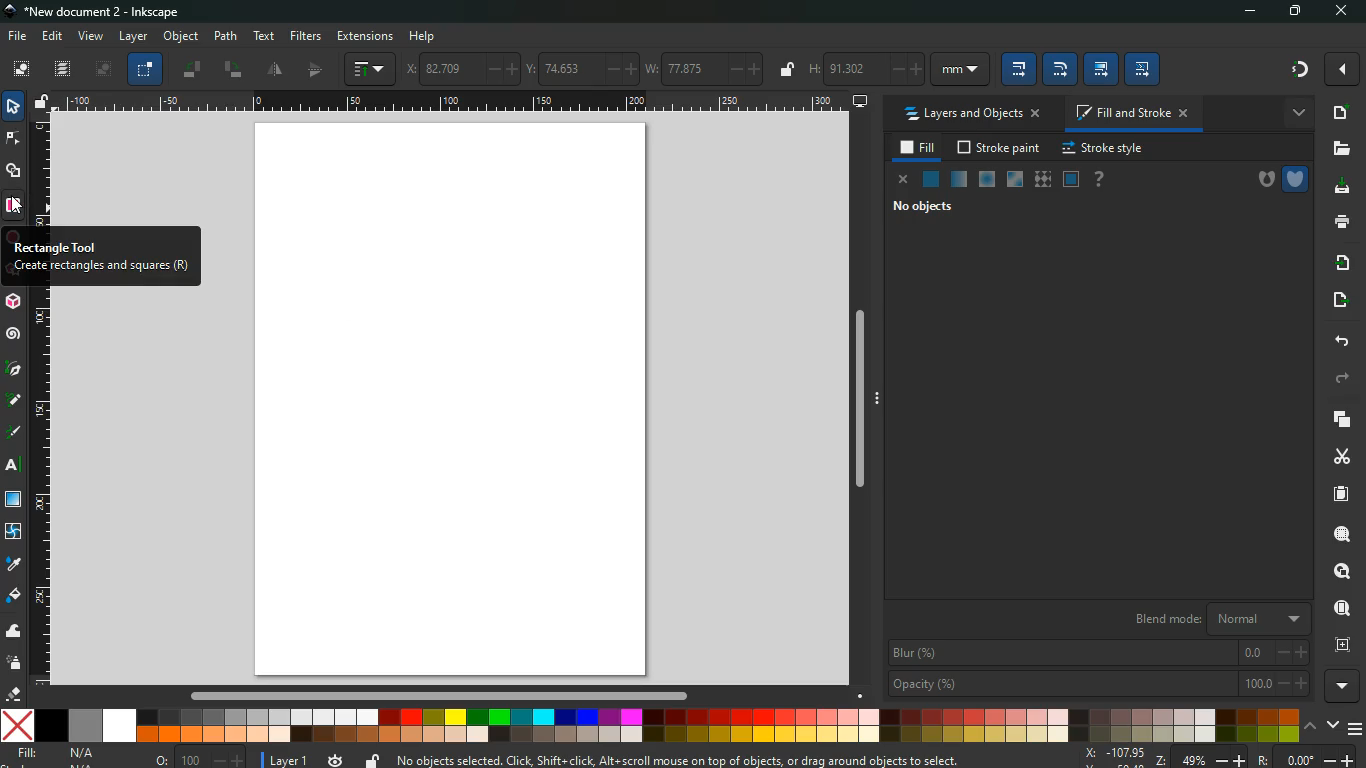  Describe the element at coordinates (1100, 180) in the screenshot. I see `help` at that location.